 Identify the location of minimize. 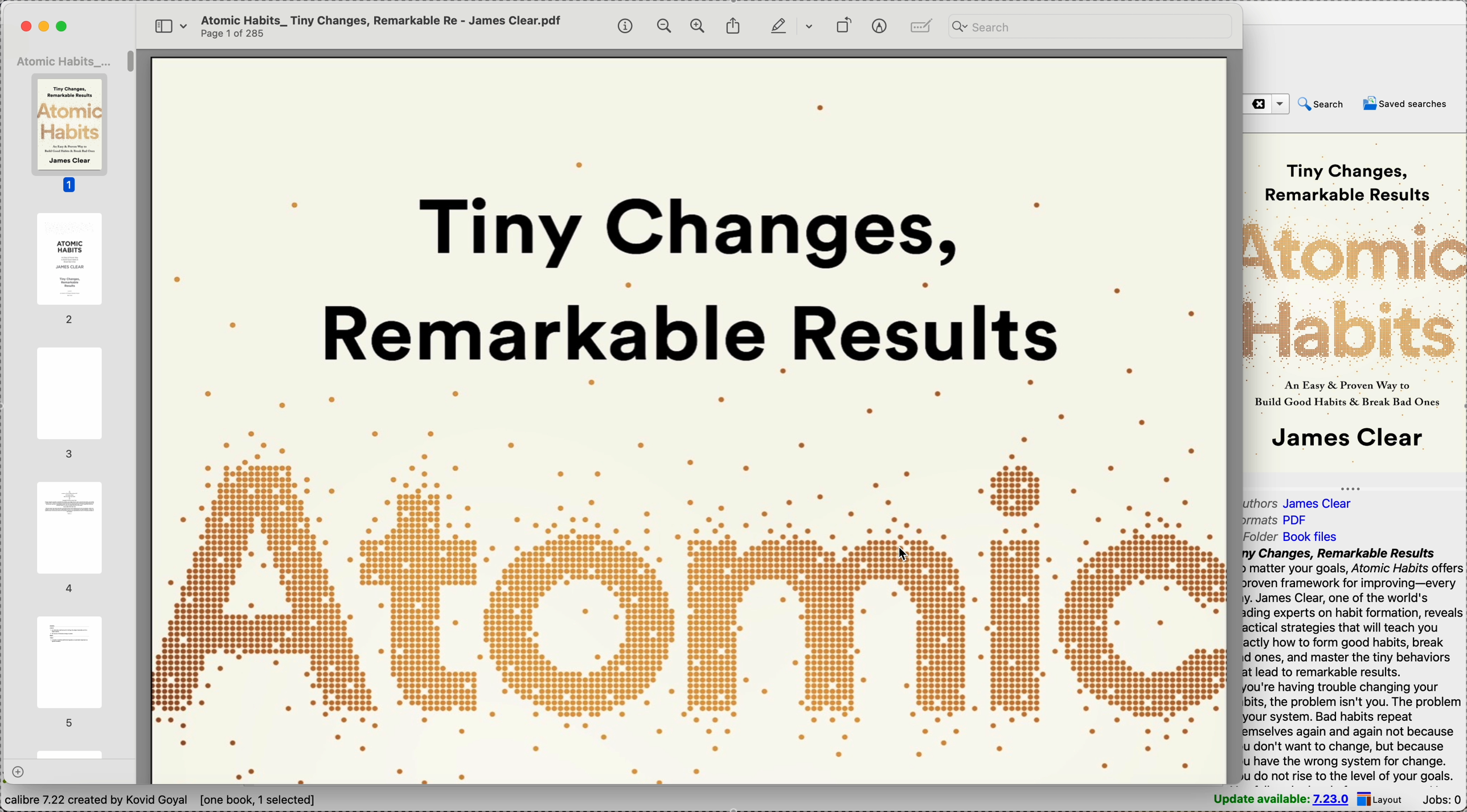
(47, 27).